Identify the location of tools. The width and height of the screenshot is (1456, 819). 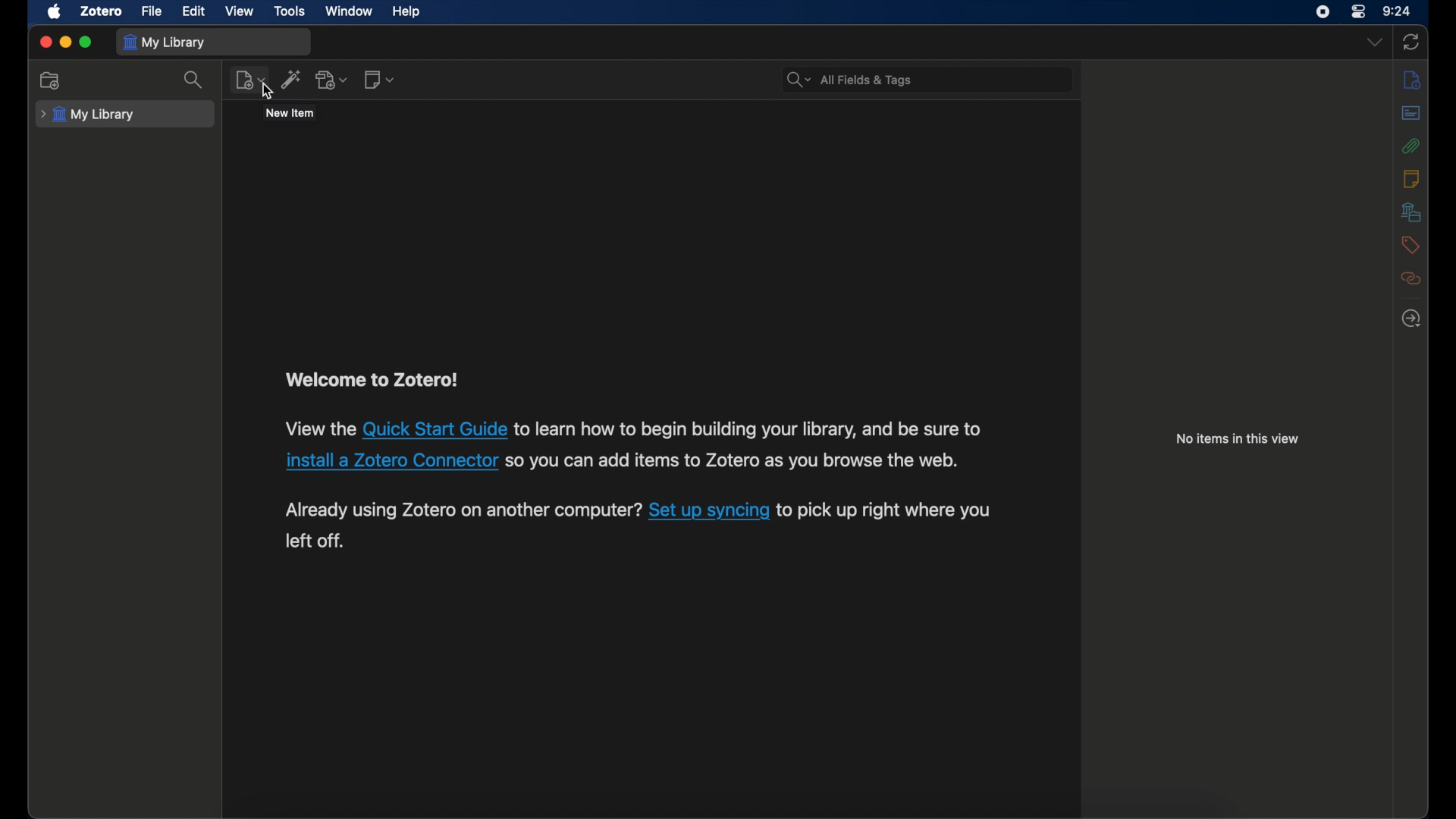
(290, 11).